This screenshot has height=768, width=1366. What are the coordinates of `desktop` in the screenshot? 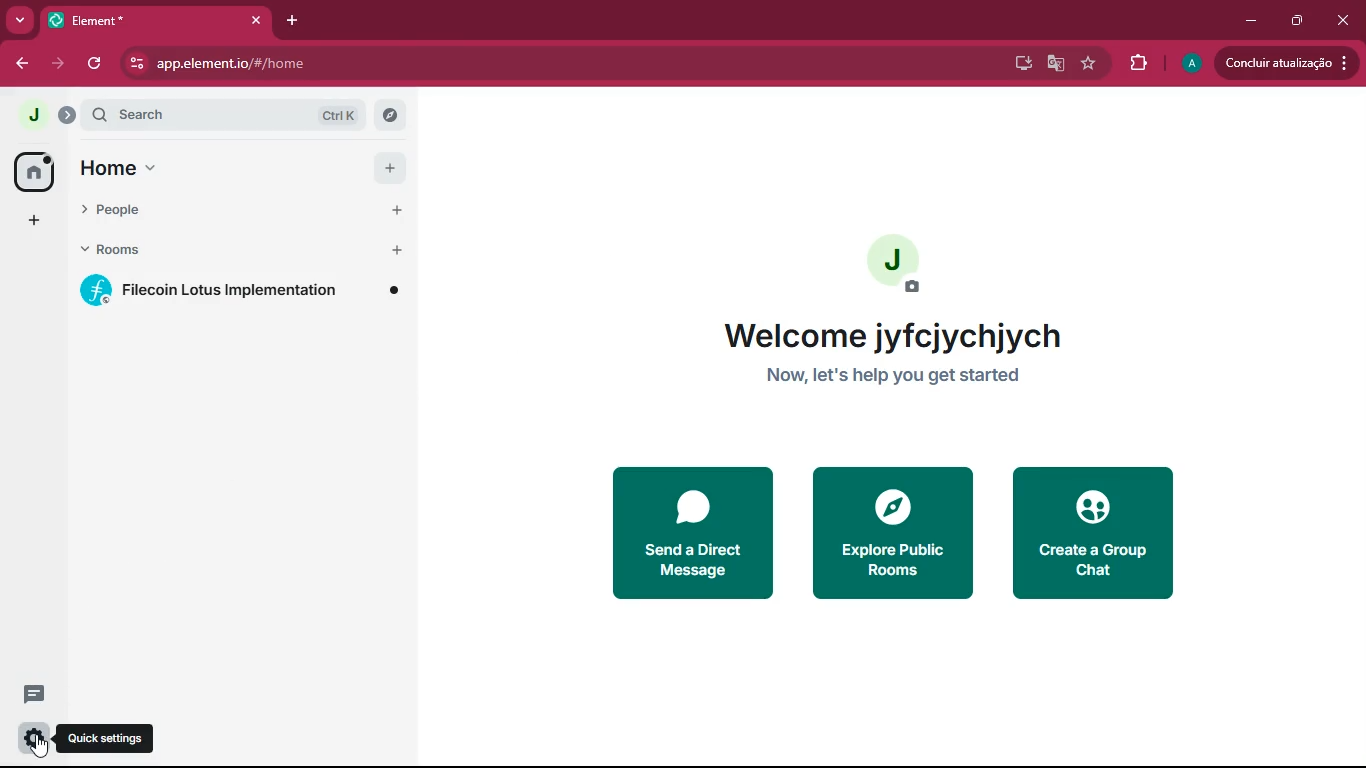 It's located at (1017, 64).